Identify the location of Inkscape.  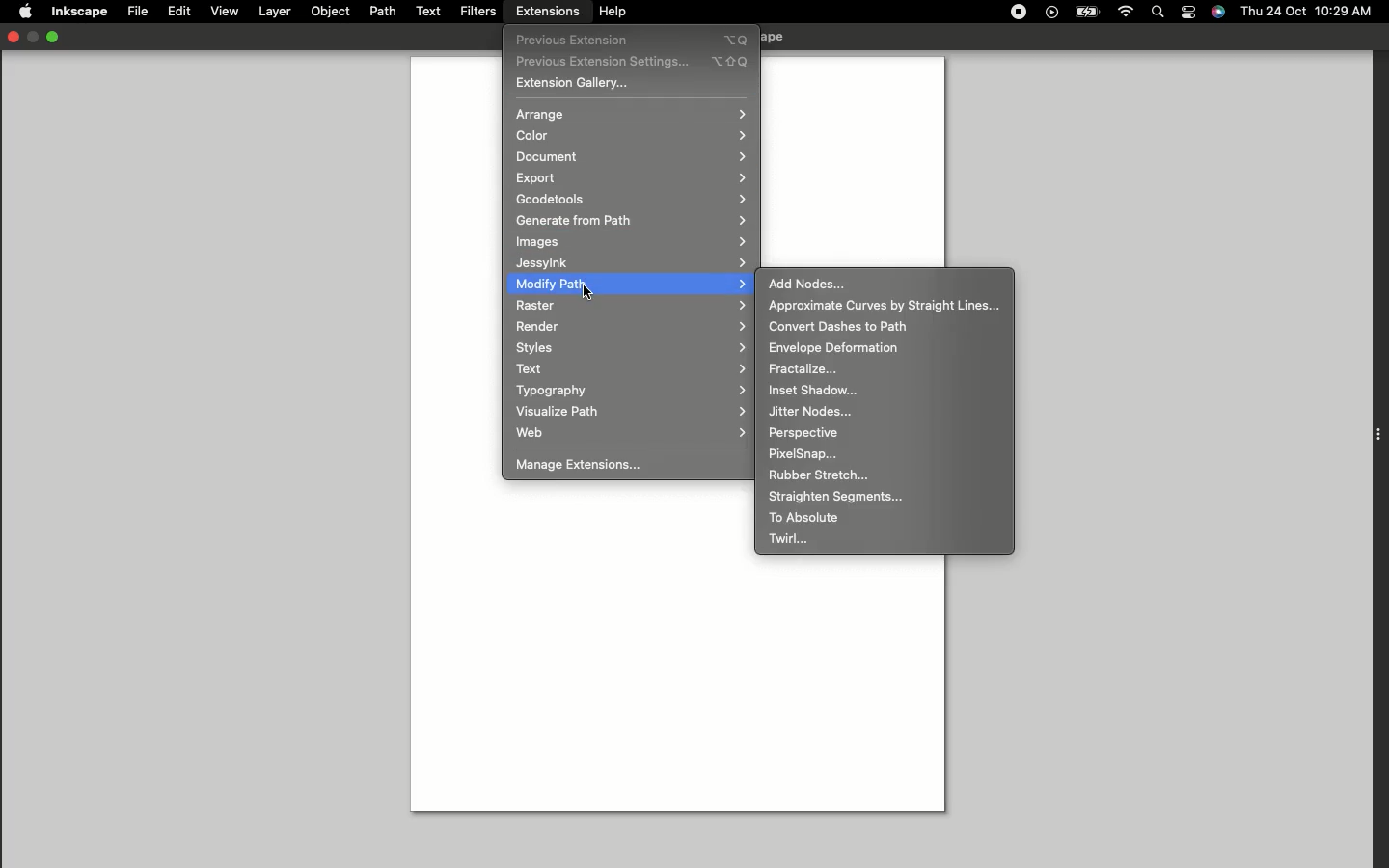
(81, 13).